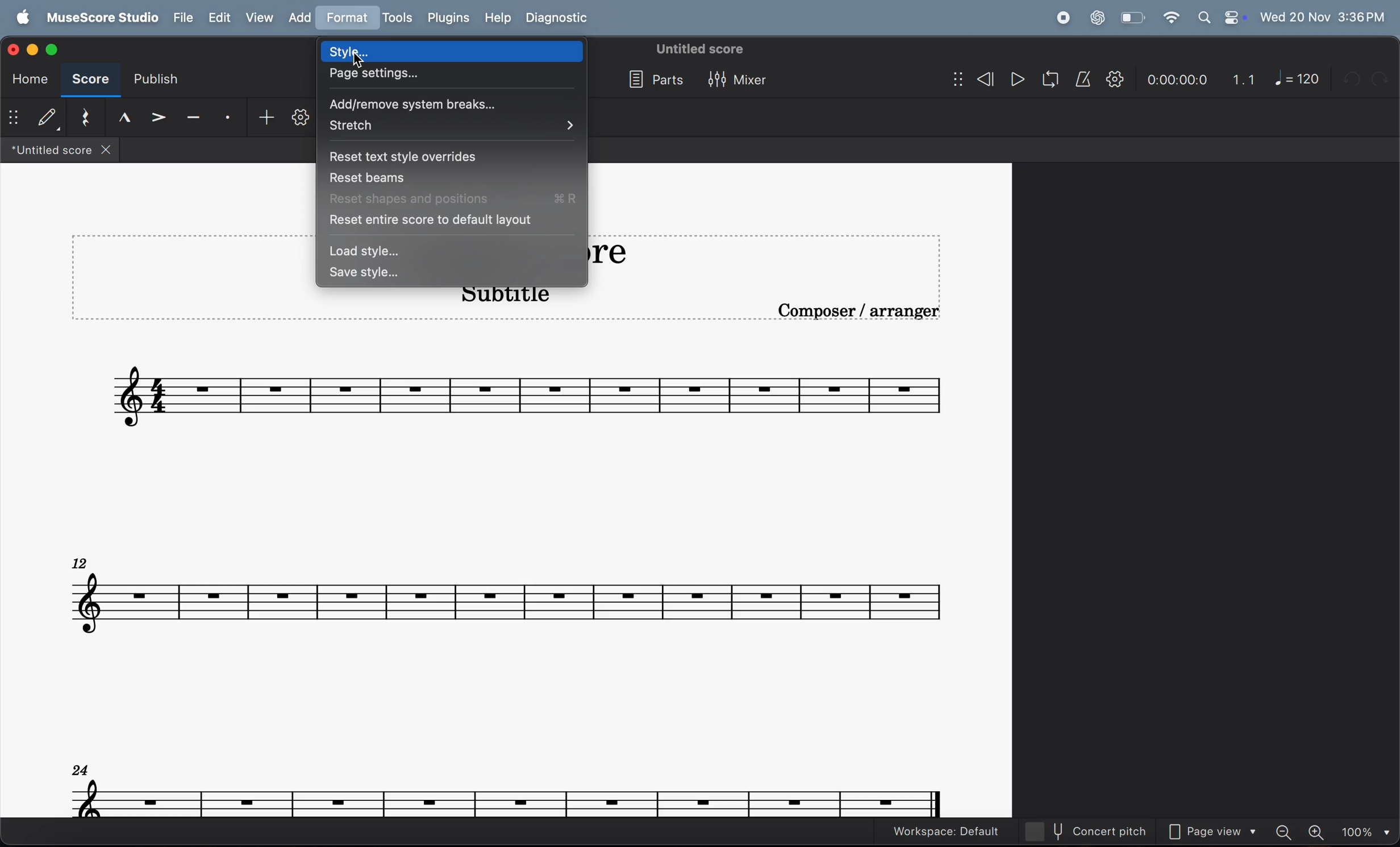 The width and height of the screenshot is (1400, 847). Describe the element at coordinates (450, 105) in the screenshot. I see `add and remove system breaks` at that location.